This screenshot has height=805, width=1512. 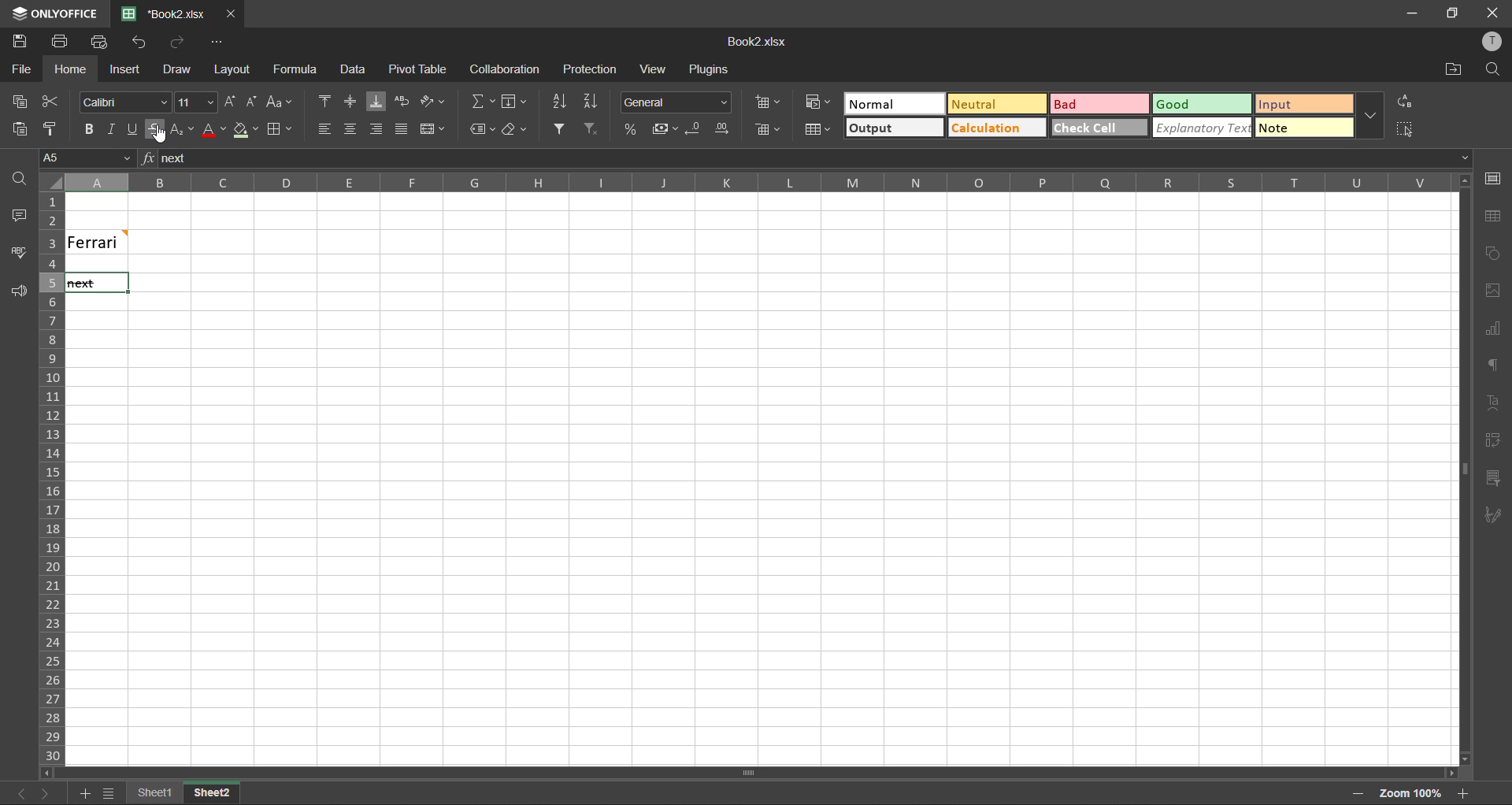 I want to click on next, so click(x=43, y=793).